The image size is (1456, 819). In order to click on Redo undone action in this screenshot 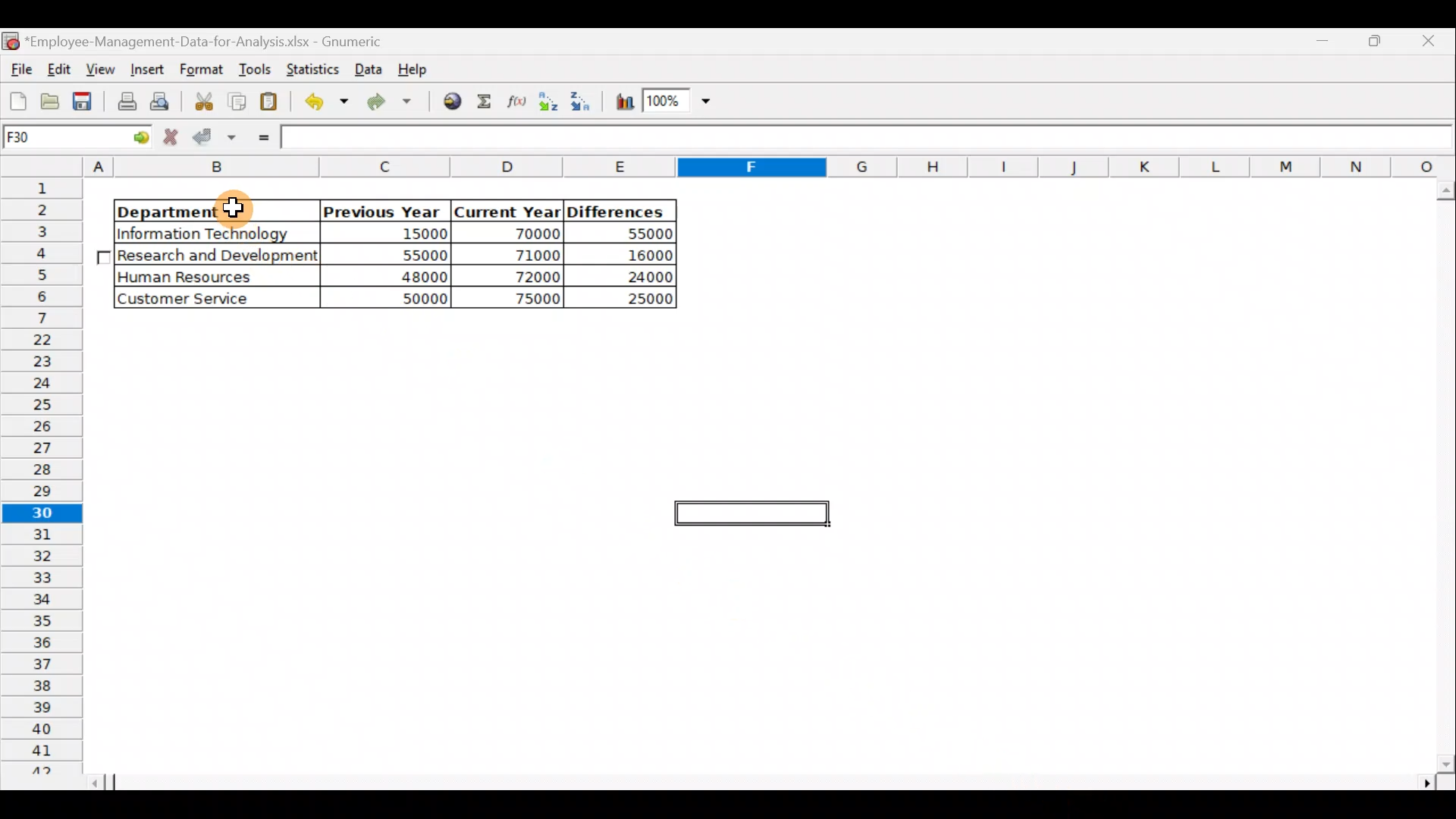, I will do `click(394, 102)`.